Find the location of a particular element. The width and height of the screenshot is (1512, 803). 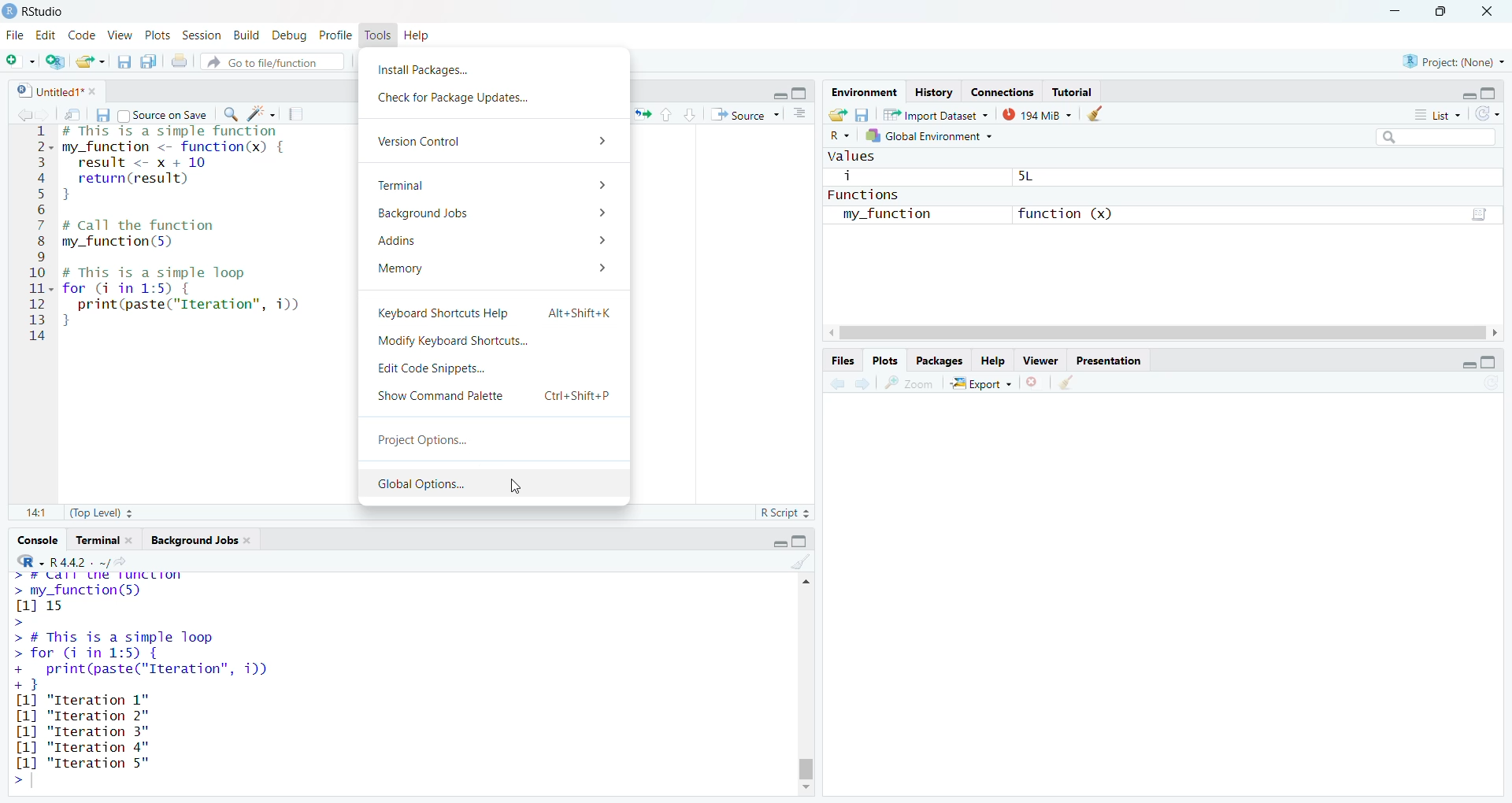

[1] "Iteration 3" is located at coordinates (81, 732).